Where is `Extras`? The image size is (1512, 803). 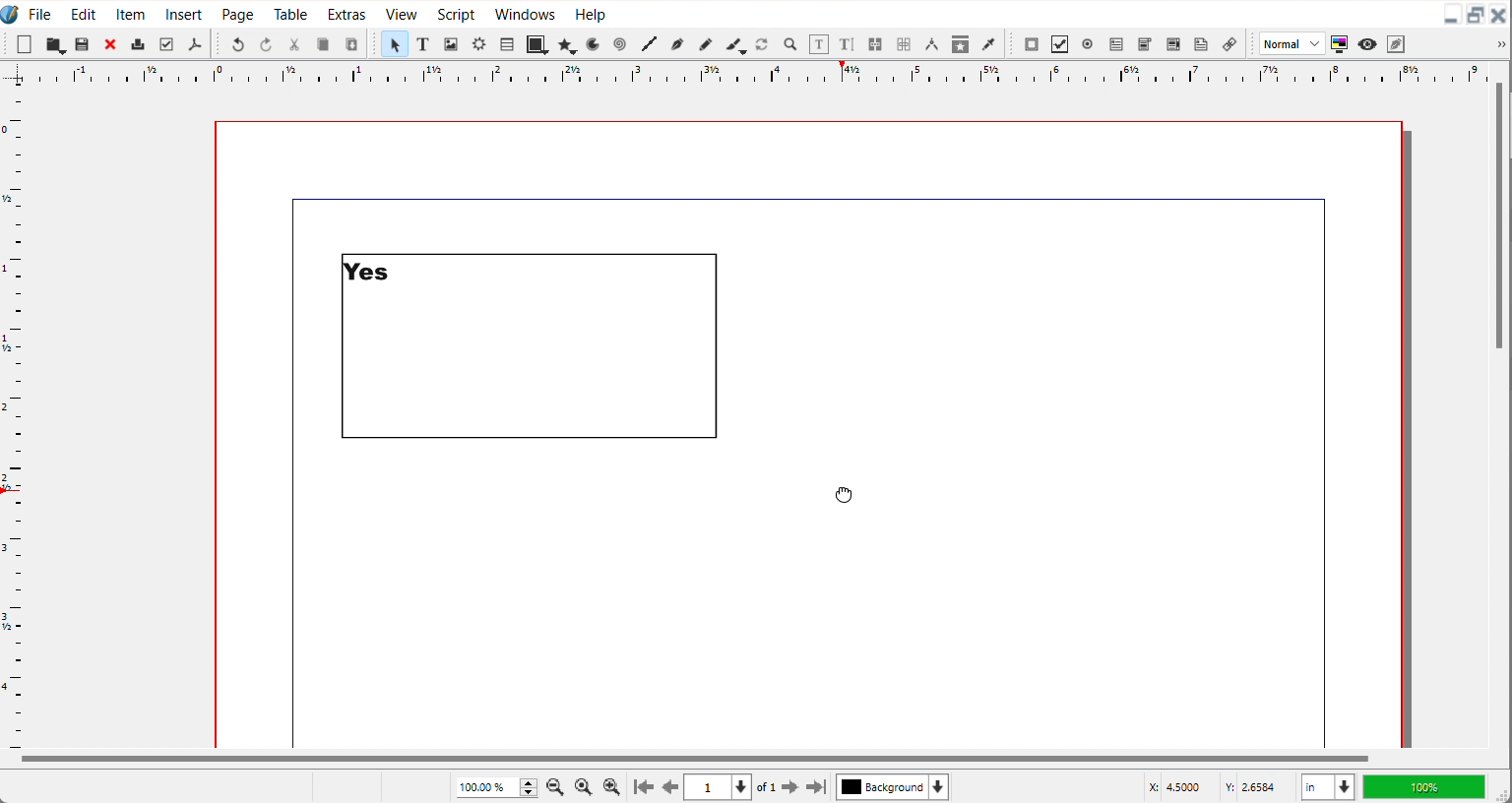
Extras is located at coordinates (346, 12).